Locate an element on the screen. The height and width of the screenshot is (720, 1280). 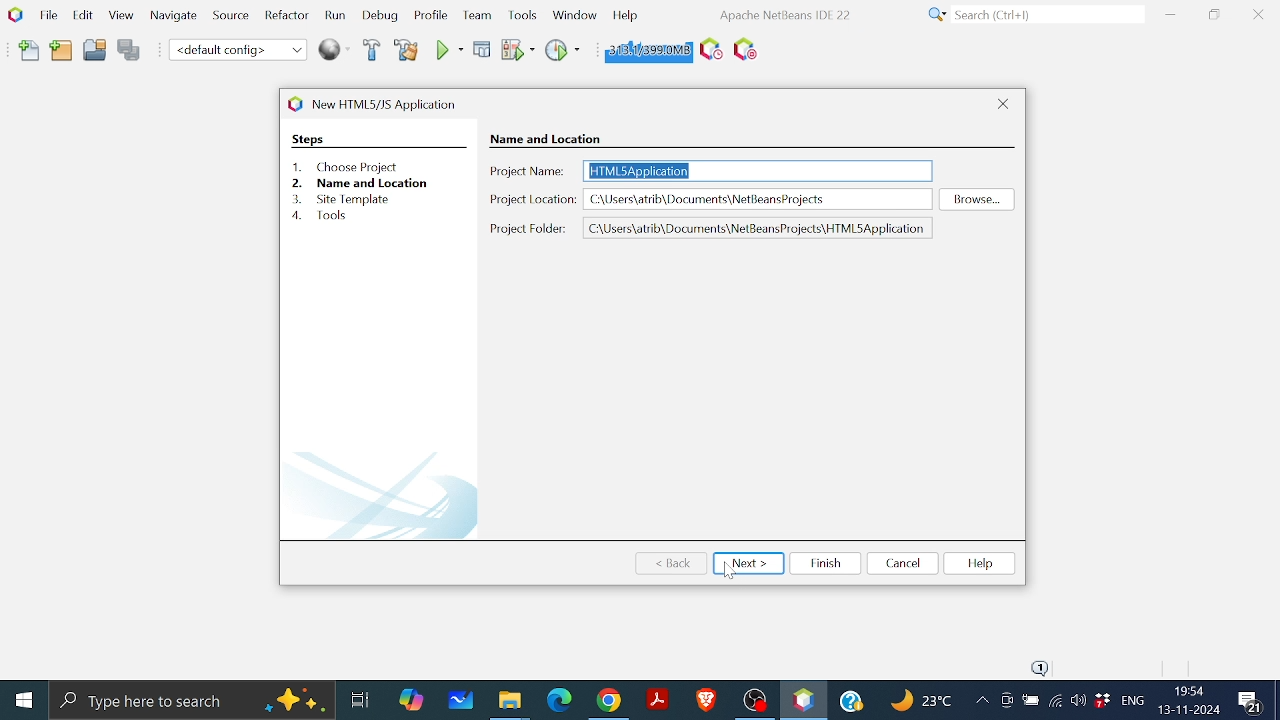
 is located at coordinates (517, 50).